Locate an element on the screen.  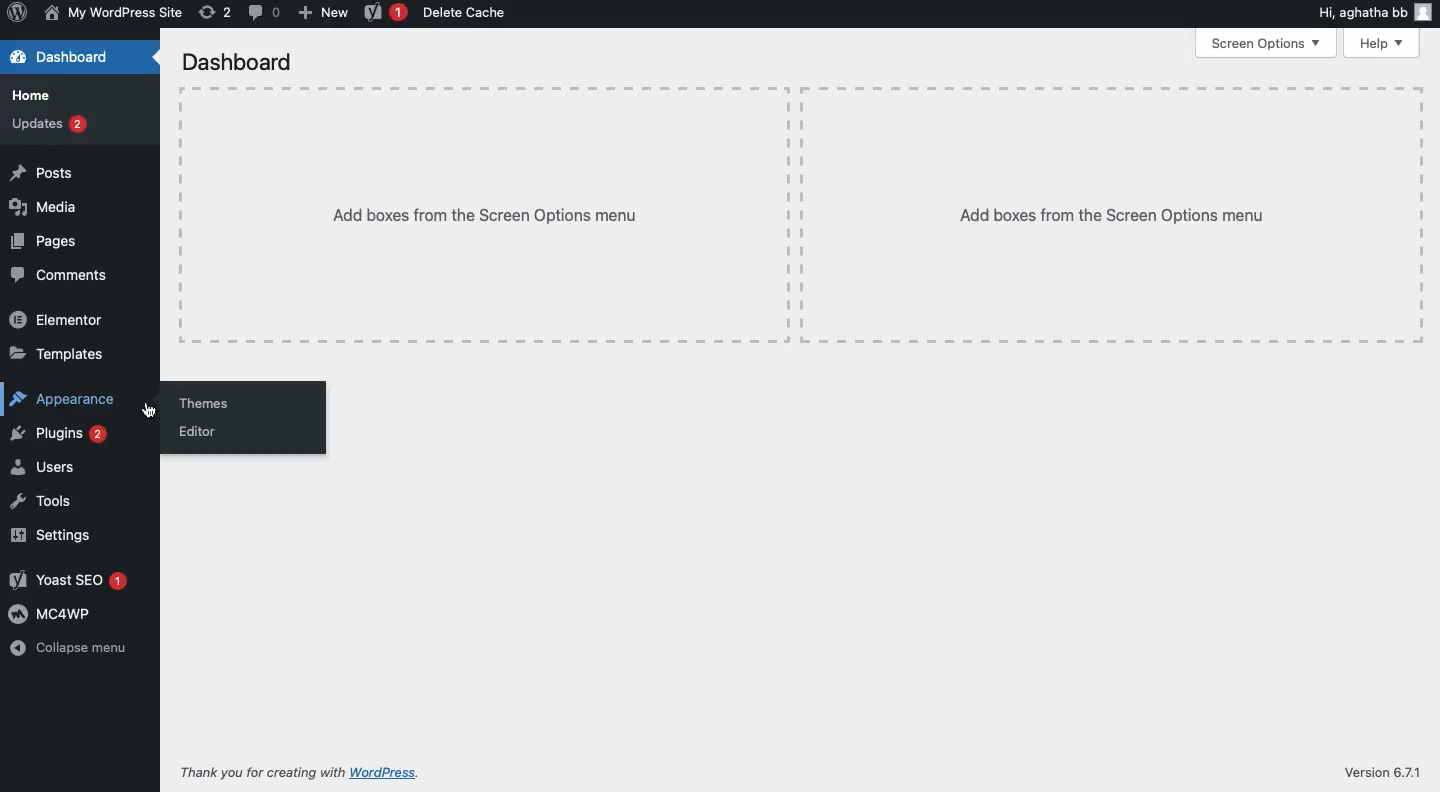
Templates is located at coordinates (57, 355).